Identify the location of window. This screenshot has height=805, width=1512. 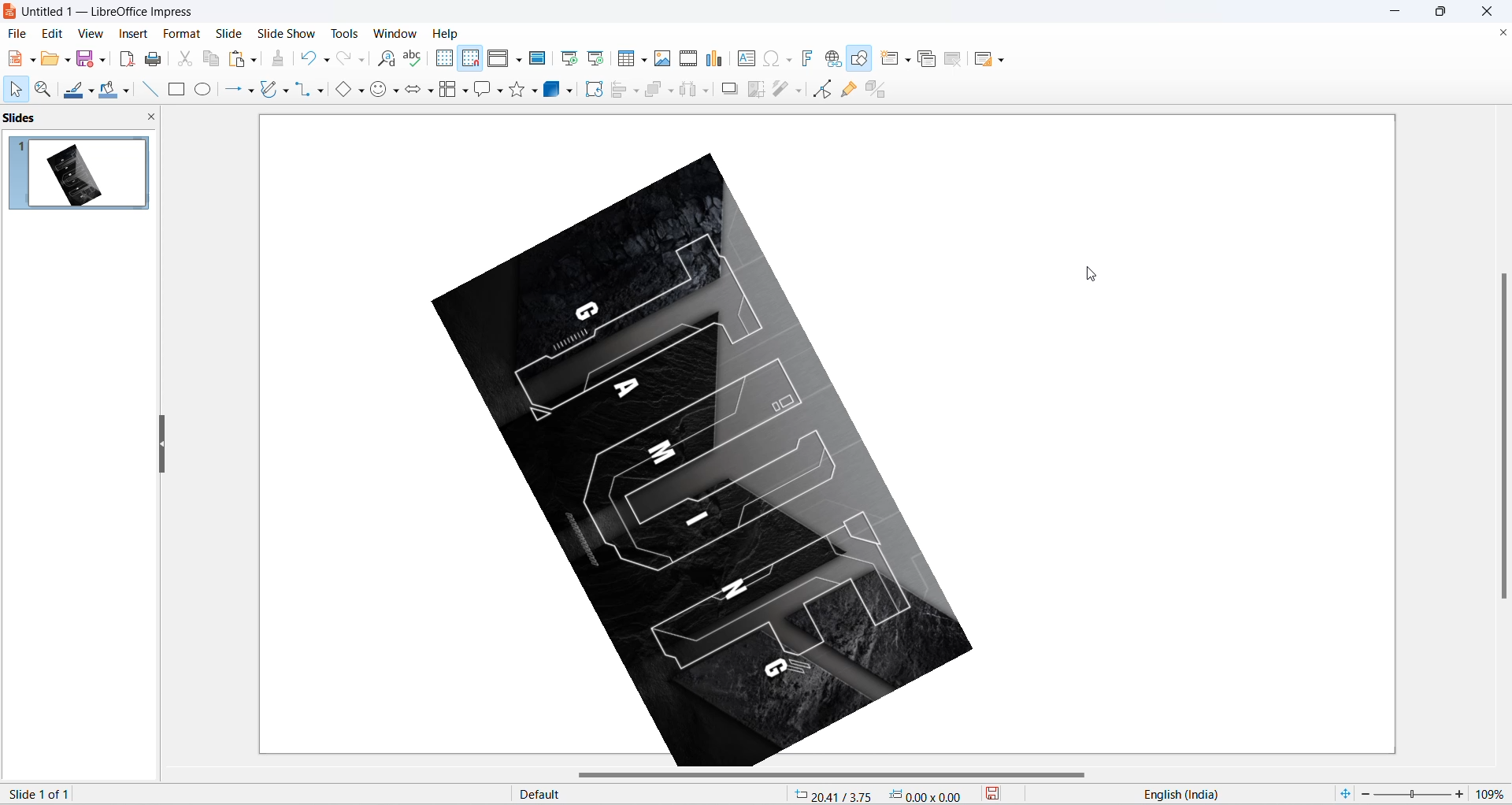
(398, 33).